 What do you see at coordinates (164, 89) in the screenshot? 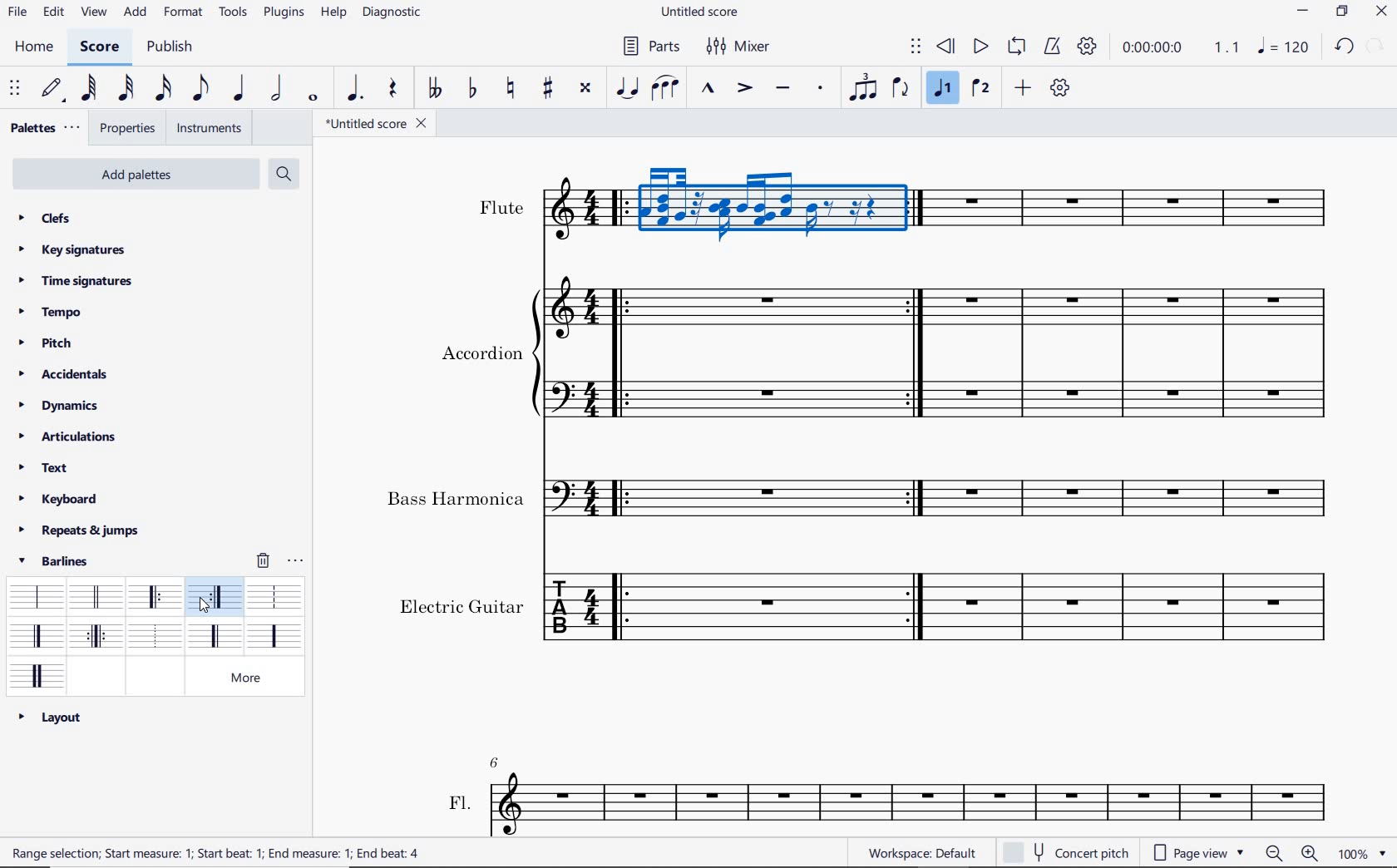
I see `16th note` at bounding box center [164, 89].